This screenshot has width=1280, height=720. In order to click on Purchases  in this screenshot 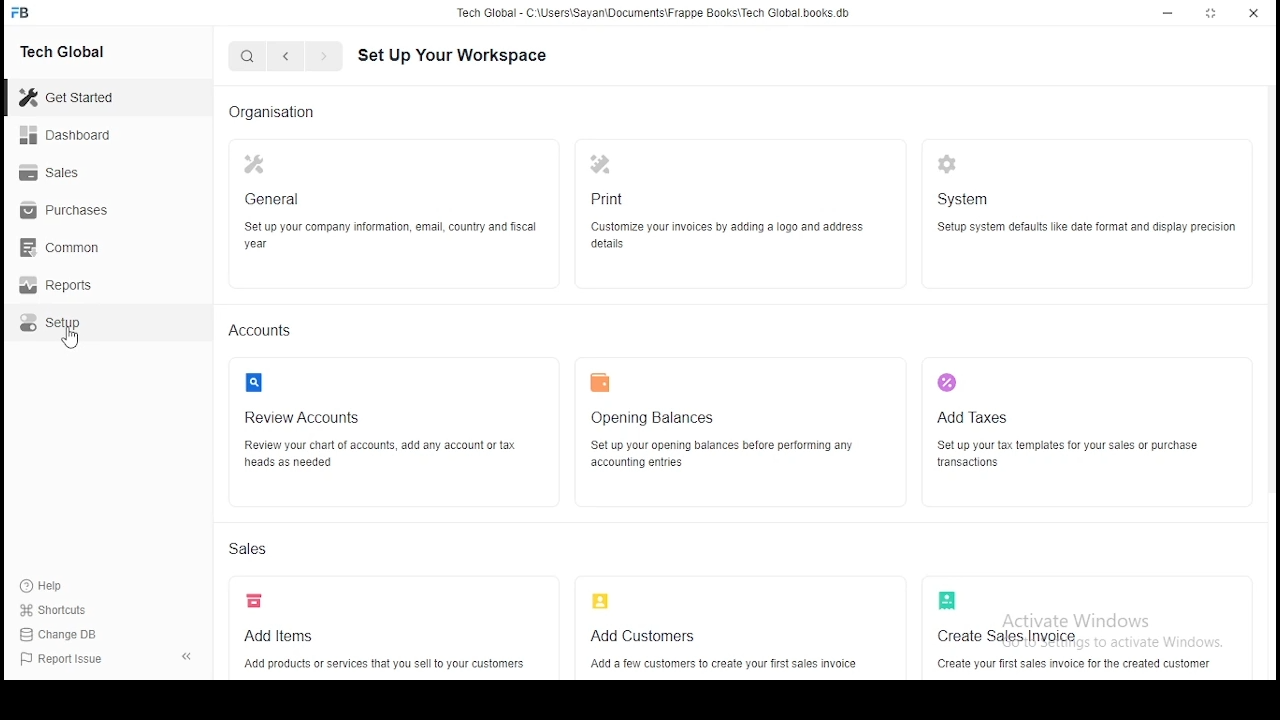, I will do `click(80, 214)`.